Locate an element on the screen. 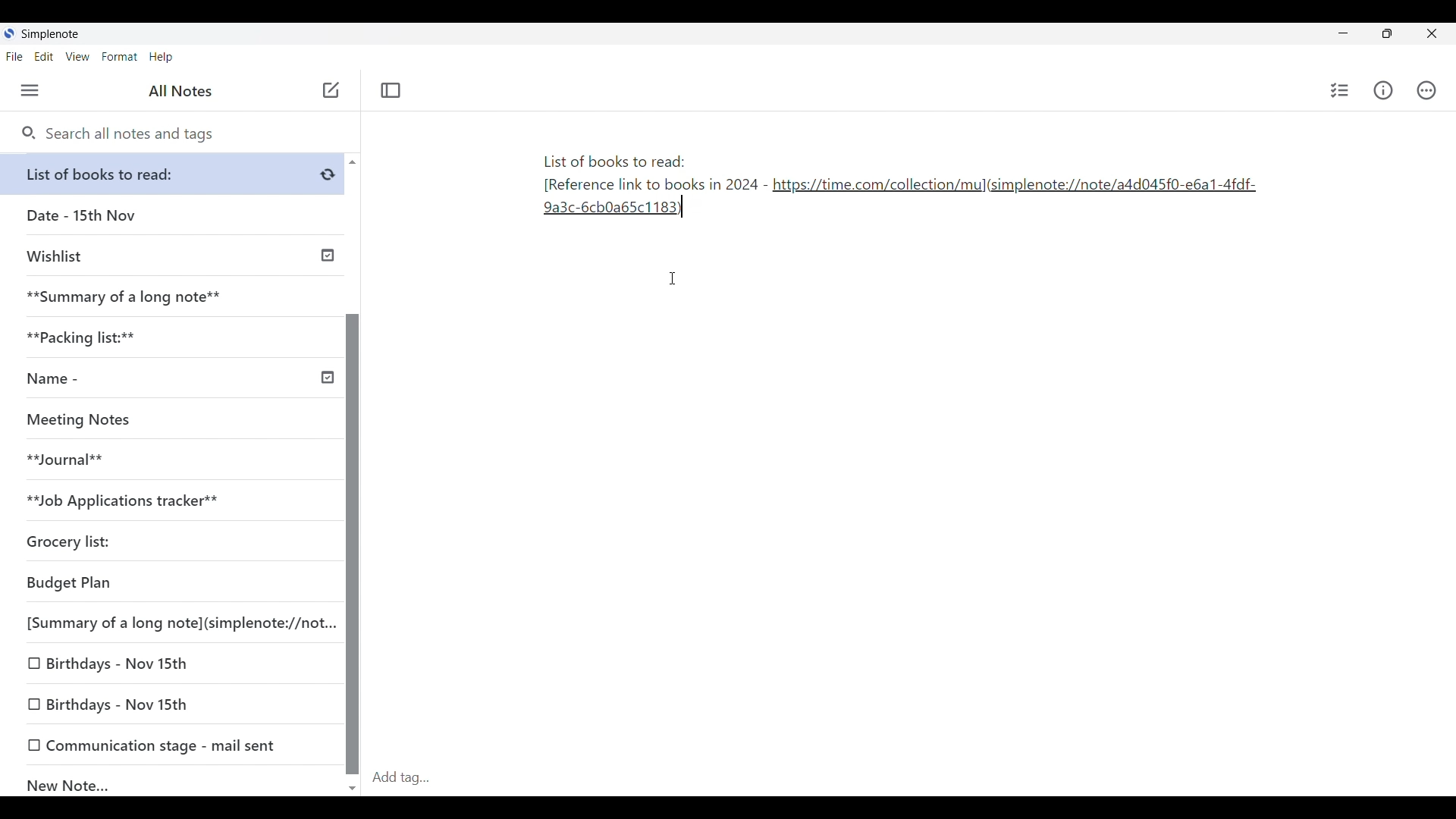 Image resolution: width=1456 pixels, height=819 pixels. File is located at coordinates (14, 57).